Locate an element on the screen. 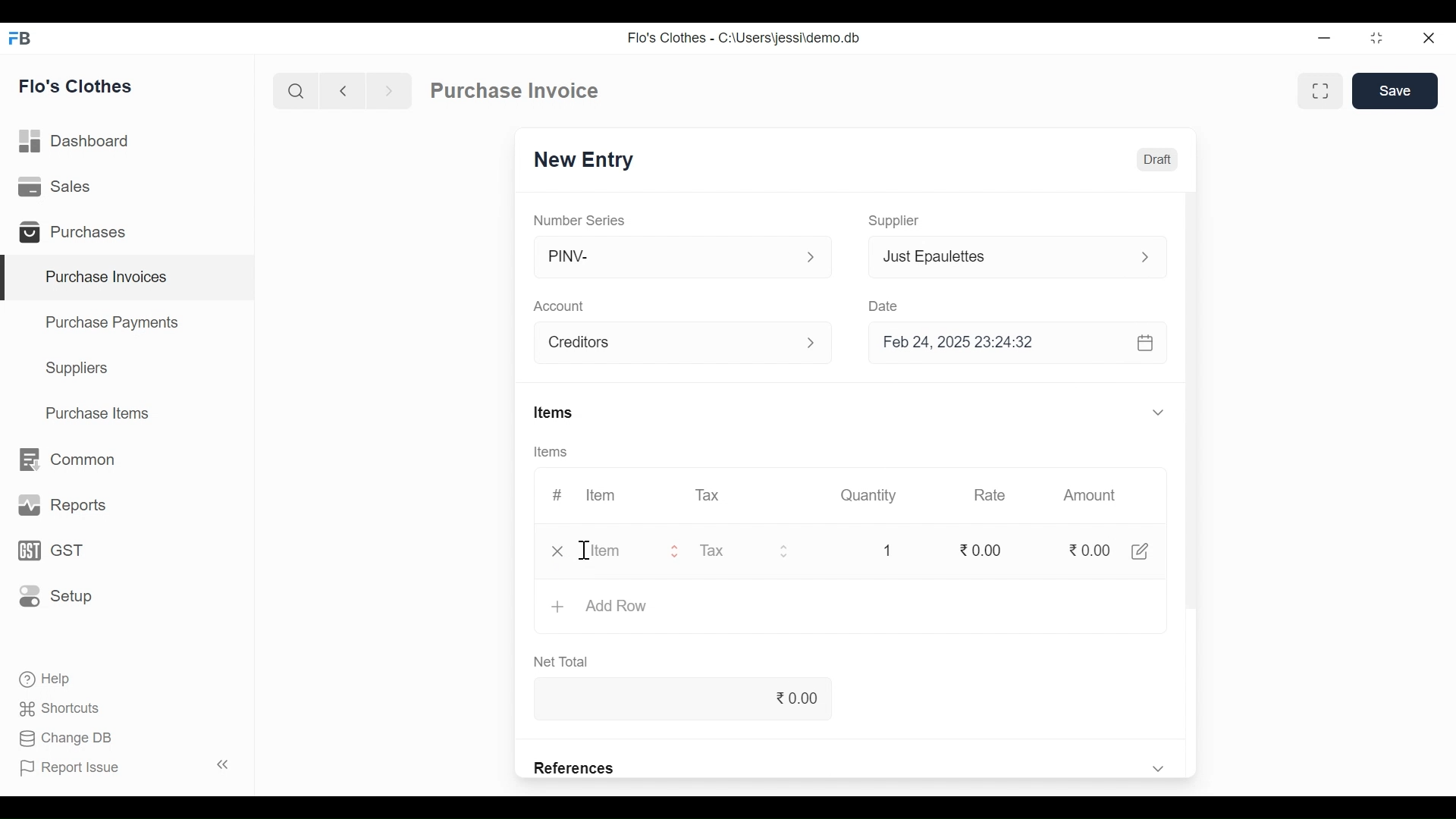 This screenshot has height=819, width=1456. Suppliers is located at coordinates (80, 370).